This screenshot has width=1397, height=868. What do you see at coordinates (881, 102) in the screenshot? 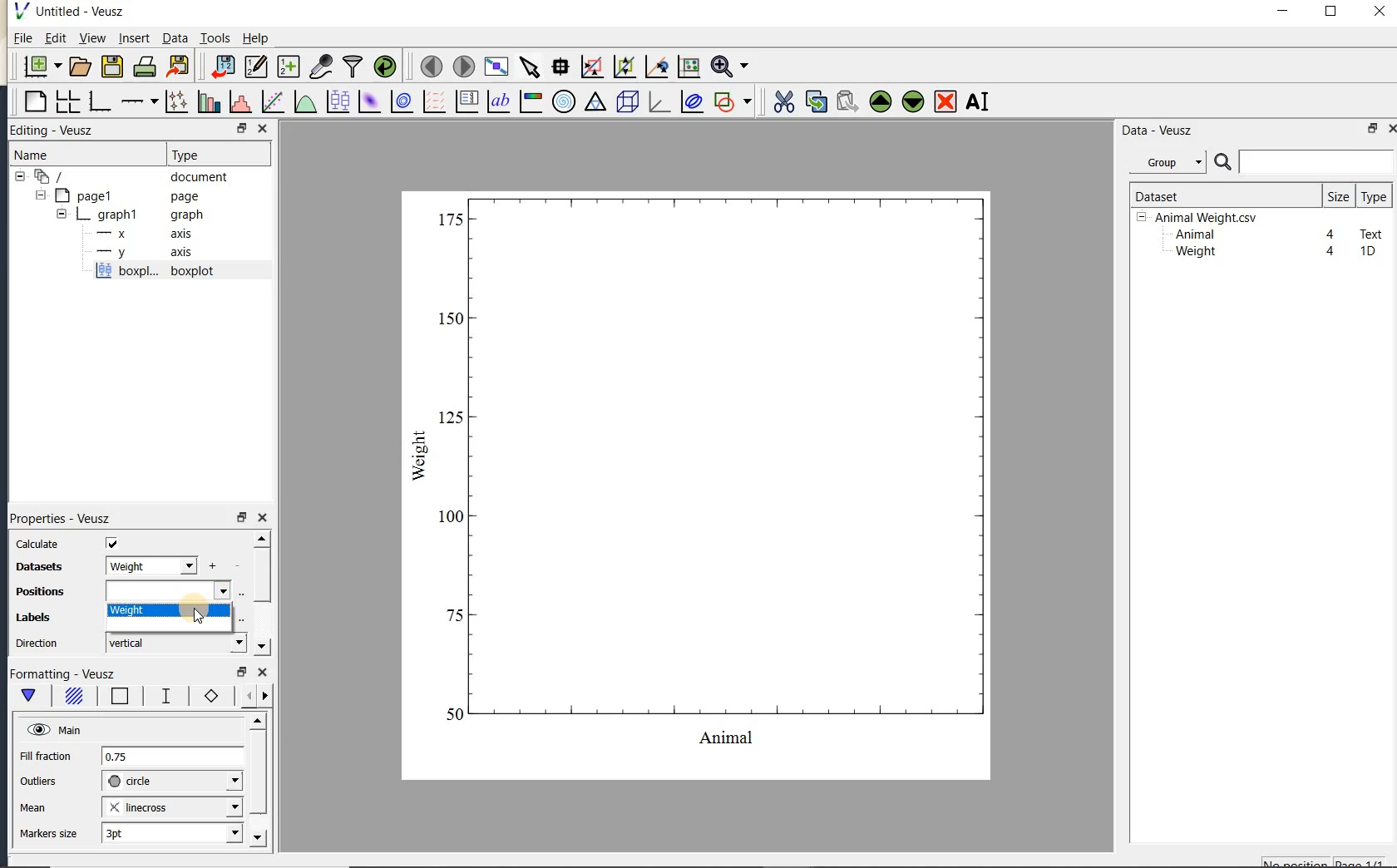
I see `move the selected widget up` at bounding box center [881, 102].